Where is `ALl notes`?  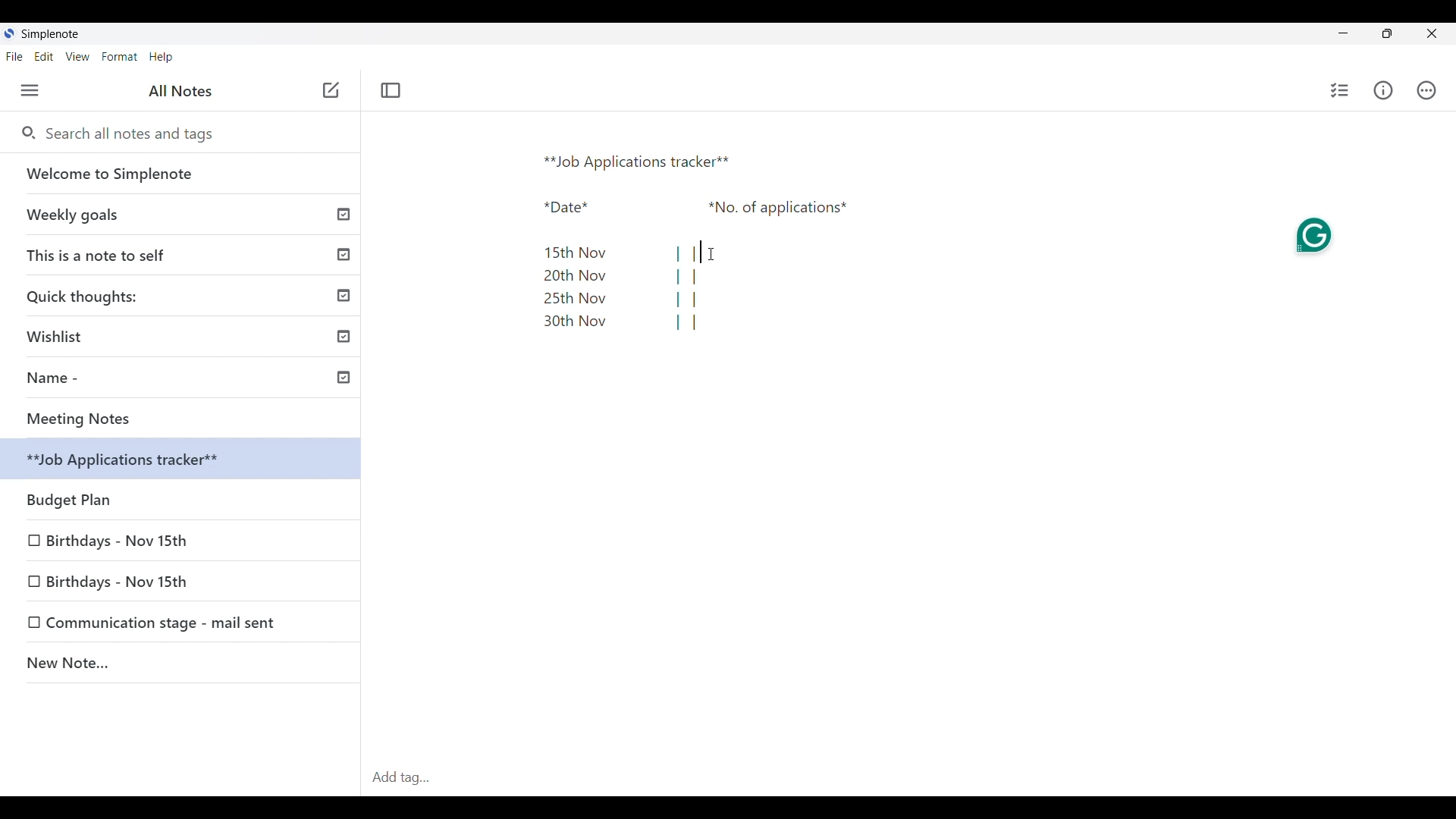 ALl notes is located at coordinates (180, 90).